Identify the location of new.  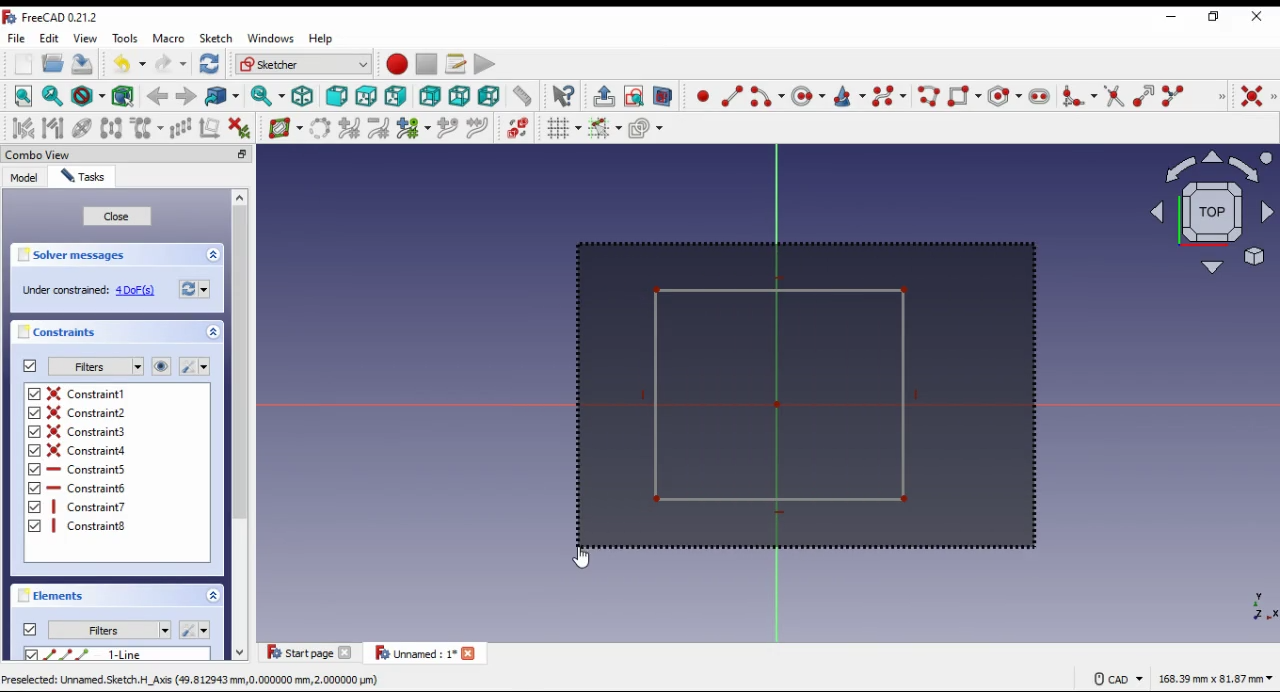
(23, 64).